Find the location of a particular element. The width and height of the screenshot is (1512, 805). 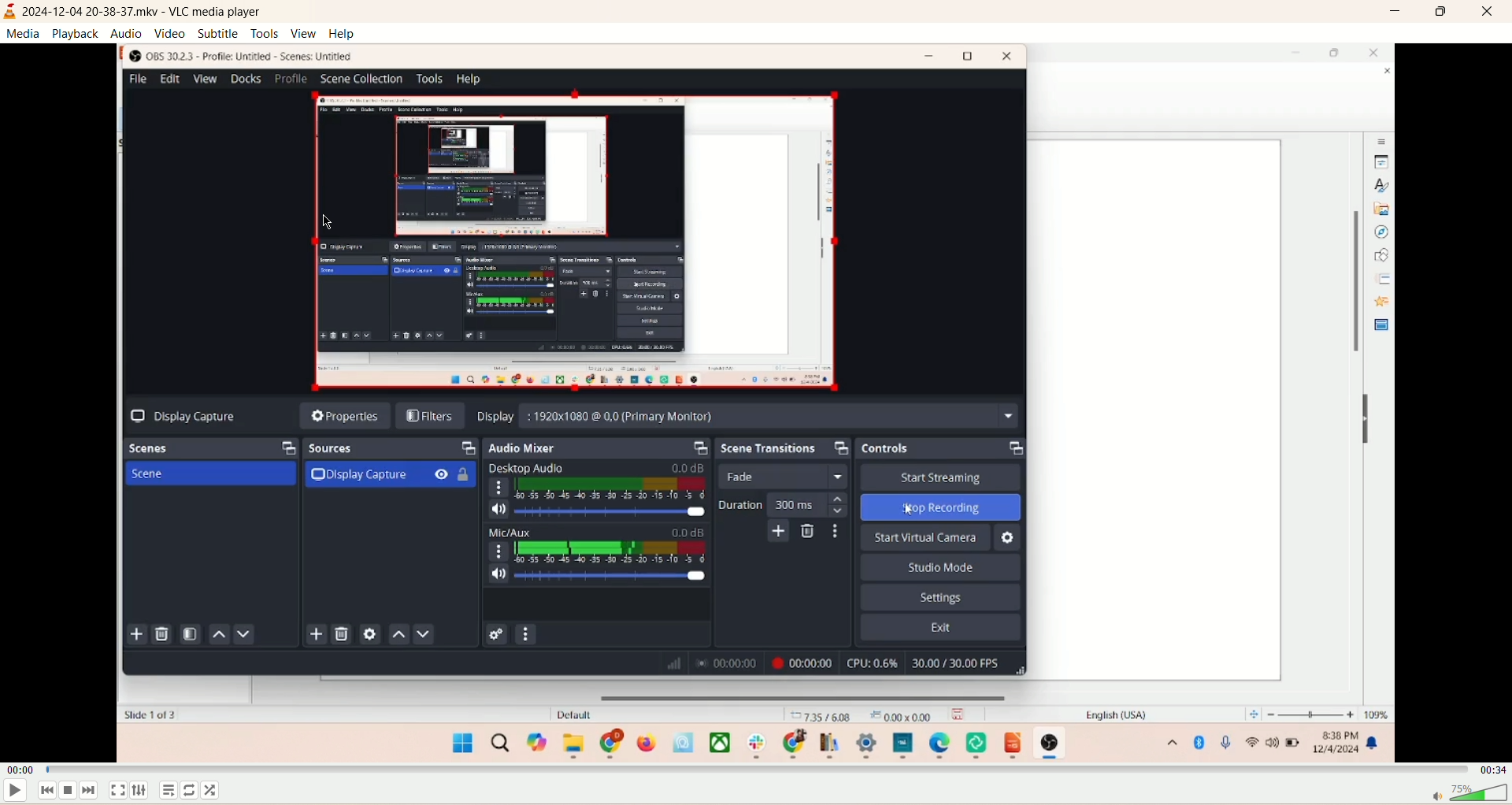

stop is located at coordinates (68, 791).